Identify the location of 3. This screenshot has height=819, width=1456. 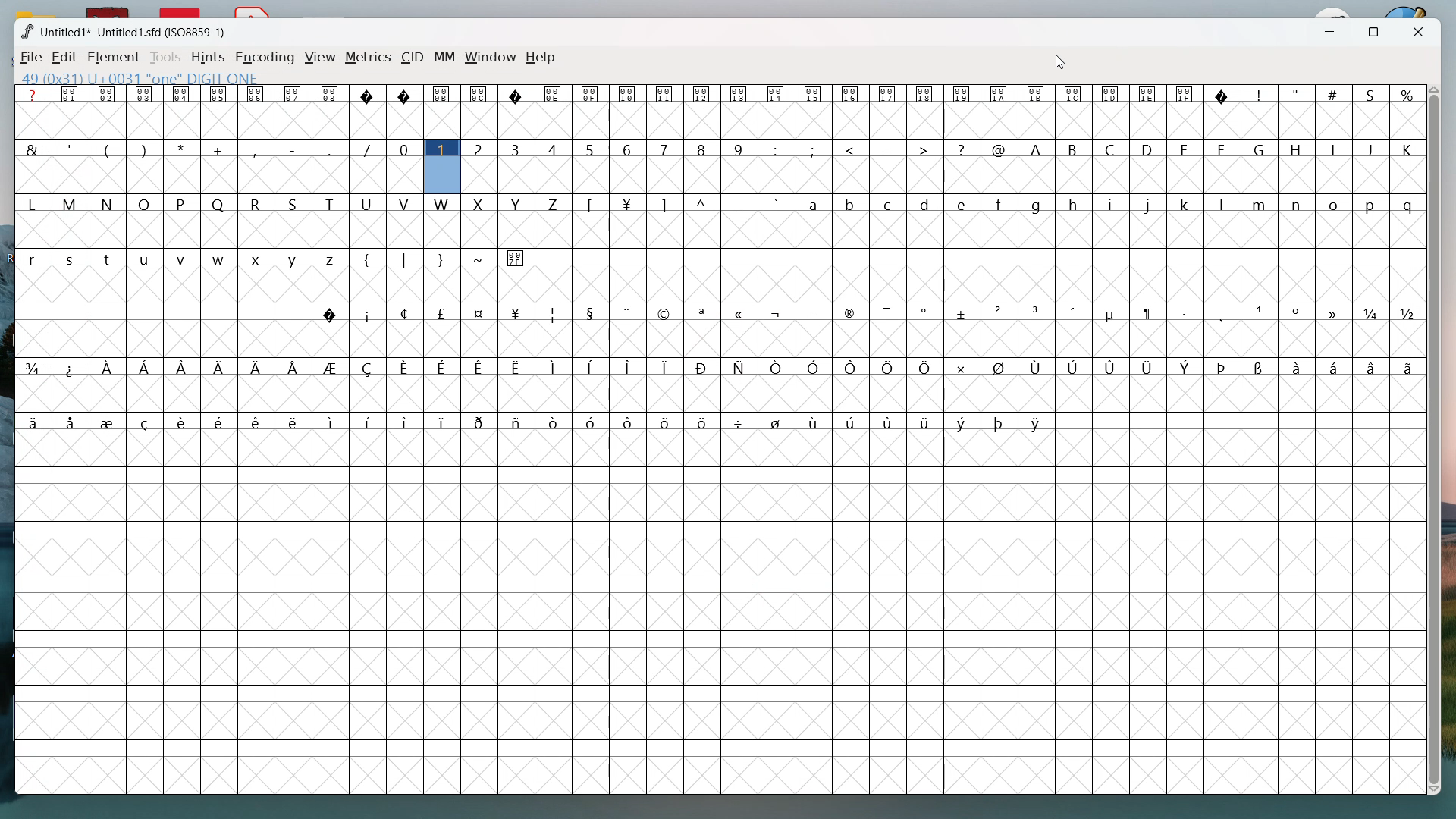
(517, 149).